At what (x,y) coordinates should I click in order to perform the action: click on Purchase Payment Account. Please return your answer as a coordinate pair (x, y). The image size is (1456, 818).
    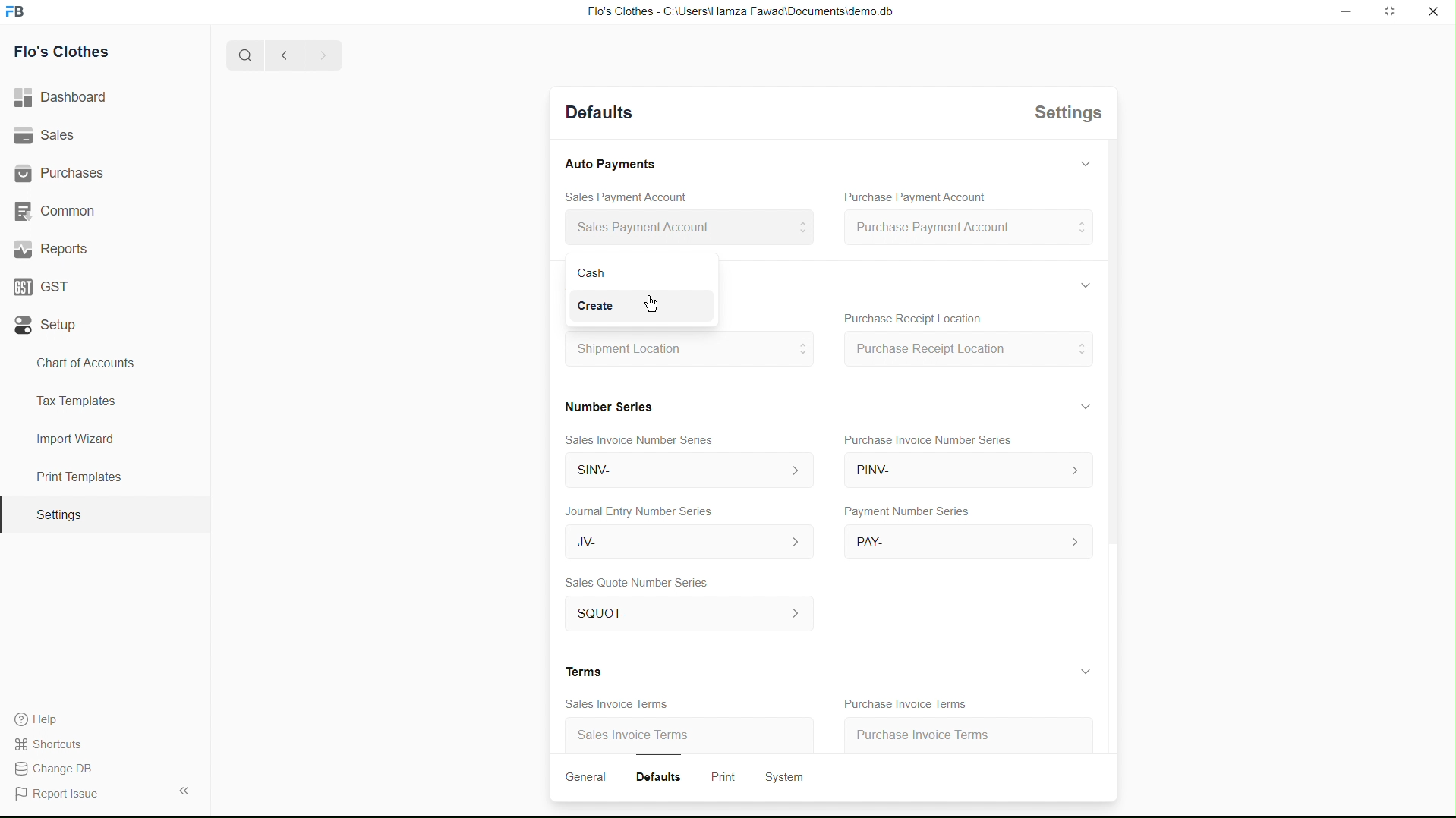
    Looking at the image, I should click on (966, 228).